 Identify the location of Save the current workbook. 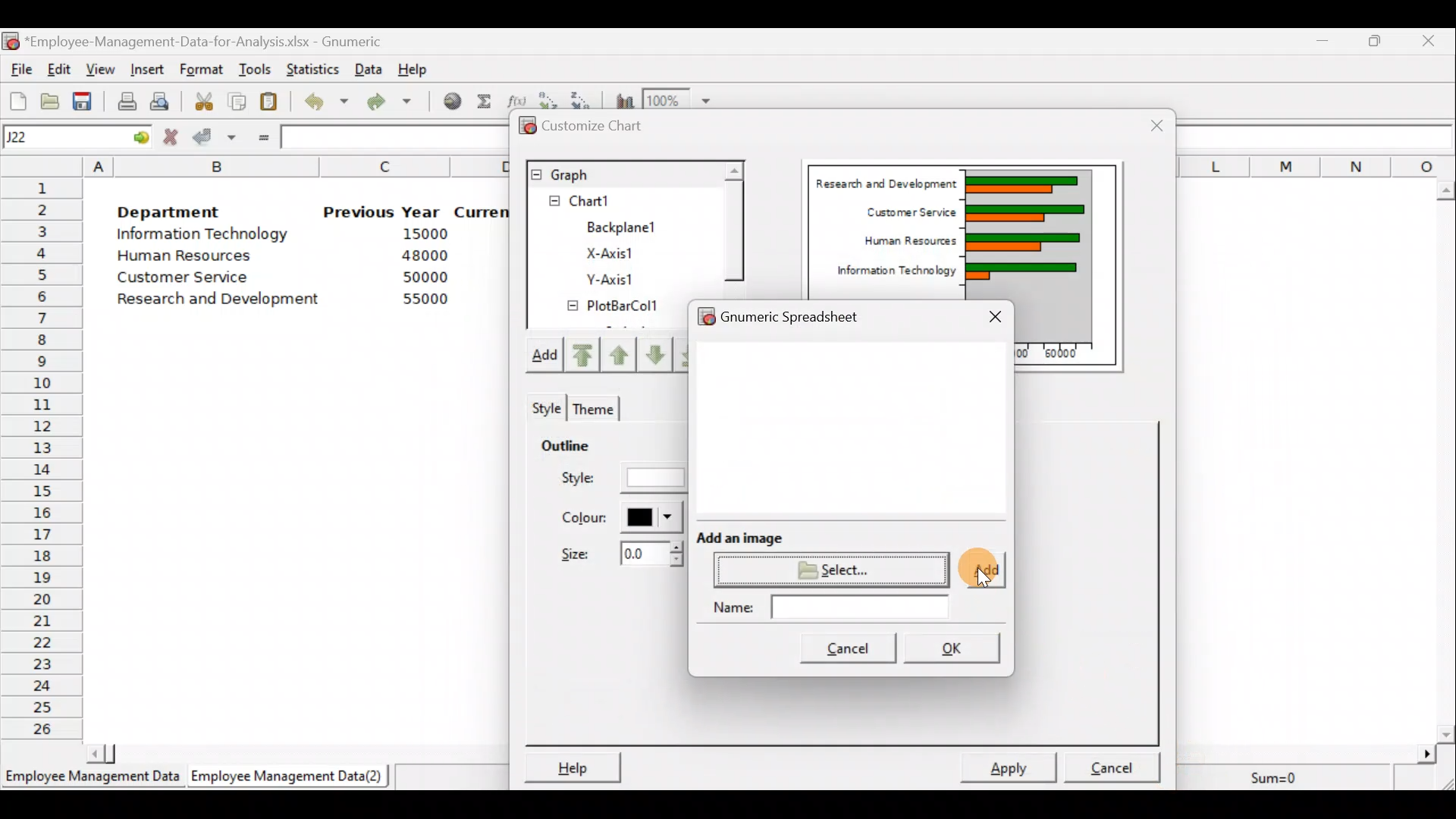
(83, 99).